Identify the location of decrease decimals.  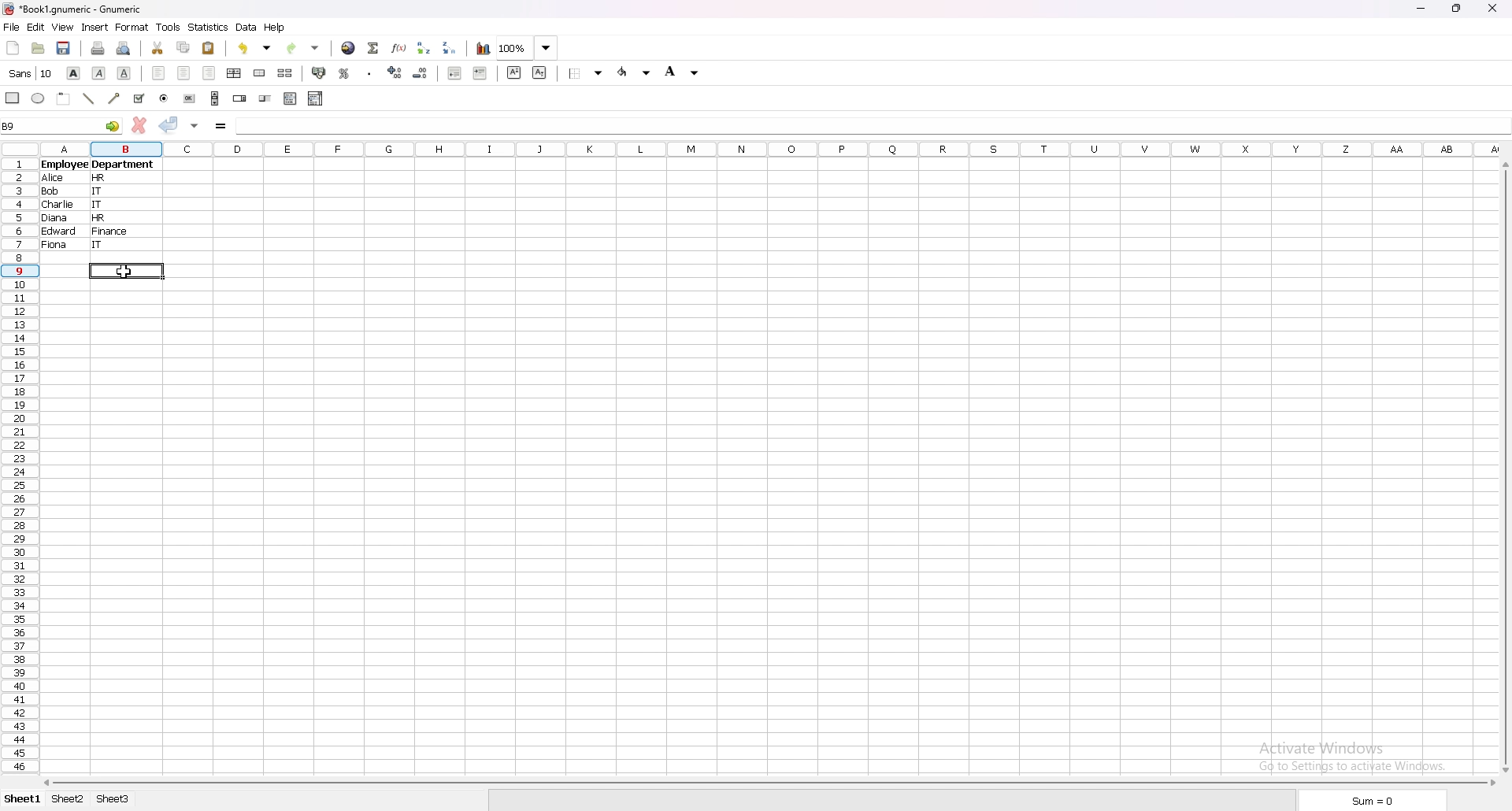
(421, 73).